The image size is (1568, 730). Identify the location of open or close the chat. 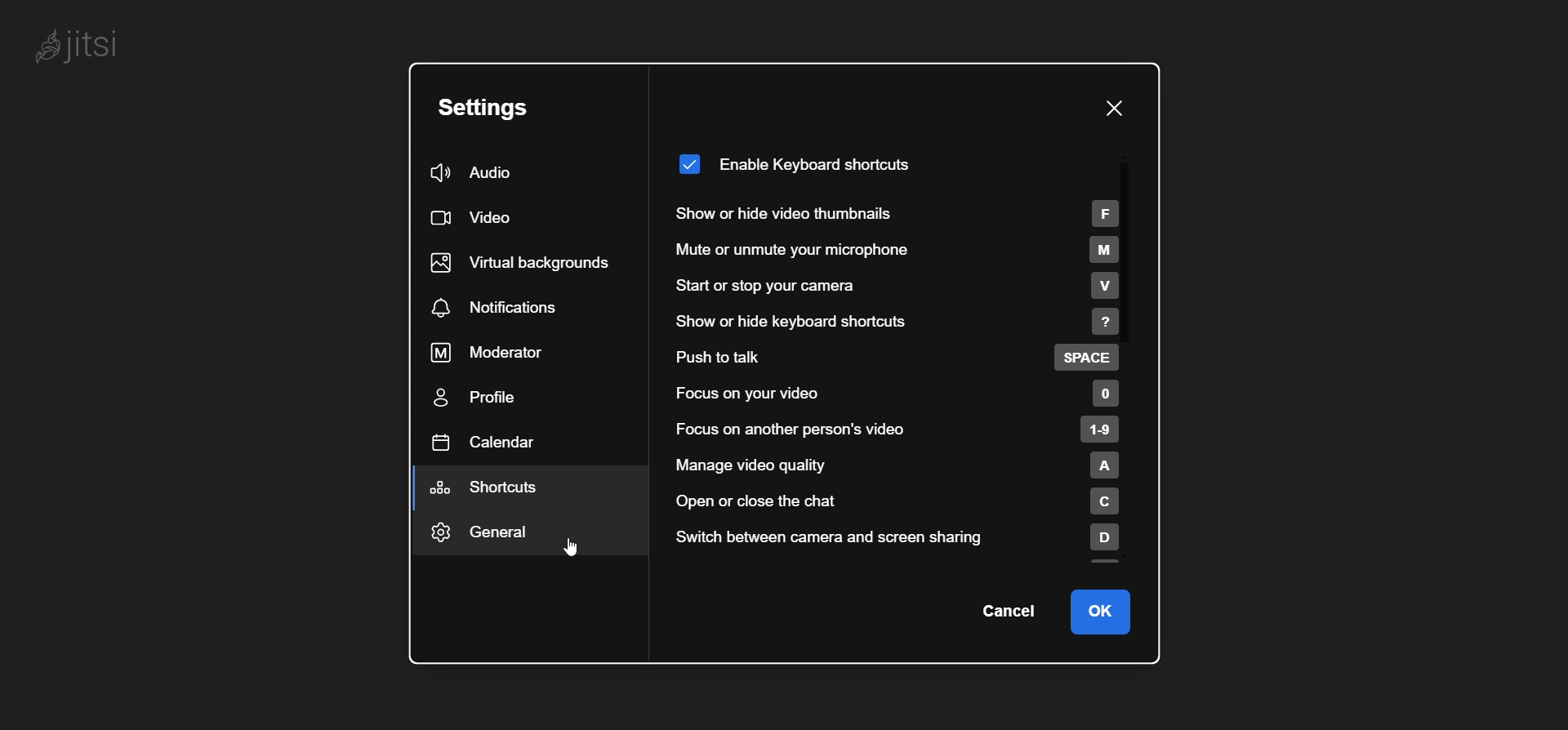
(905, 503).